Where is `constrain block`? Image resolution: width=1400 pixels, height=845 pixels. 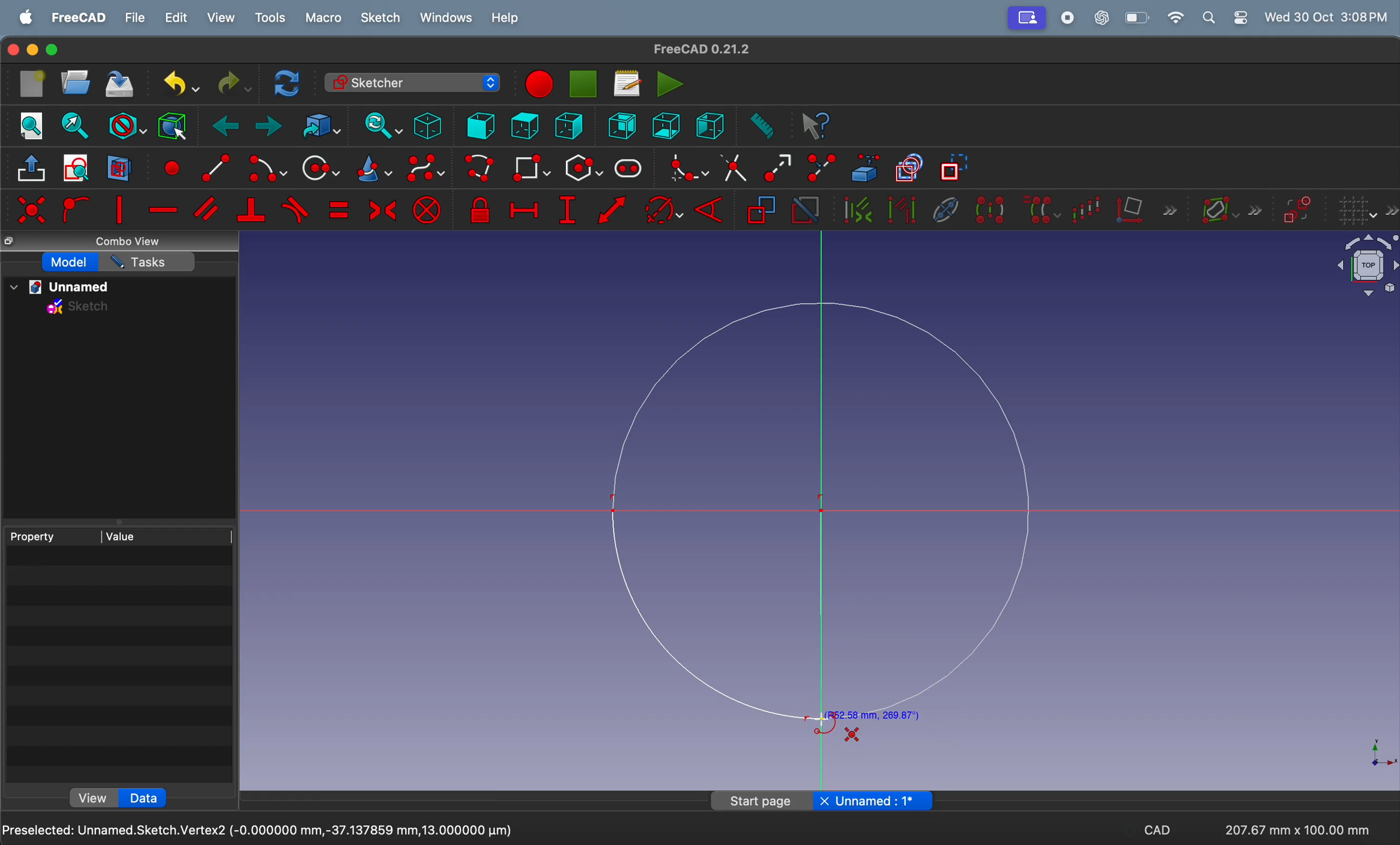 constrain block is located at coordinates (427, 210).